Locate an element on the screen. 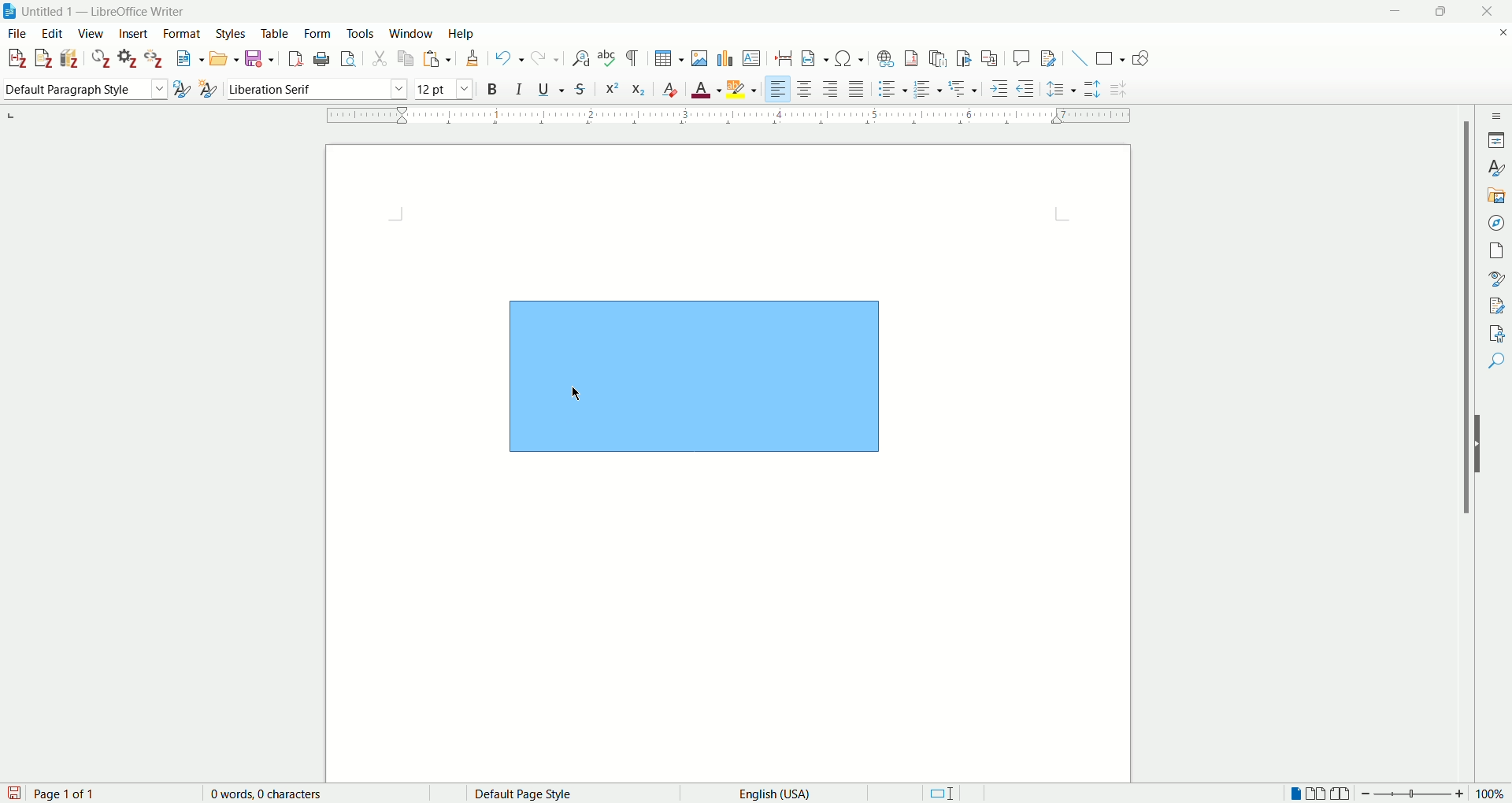  ordered list is located at coordinates (927, 87).